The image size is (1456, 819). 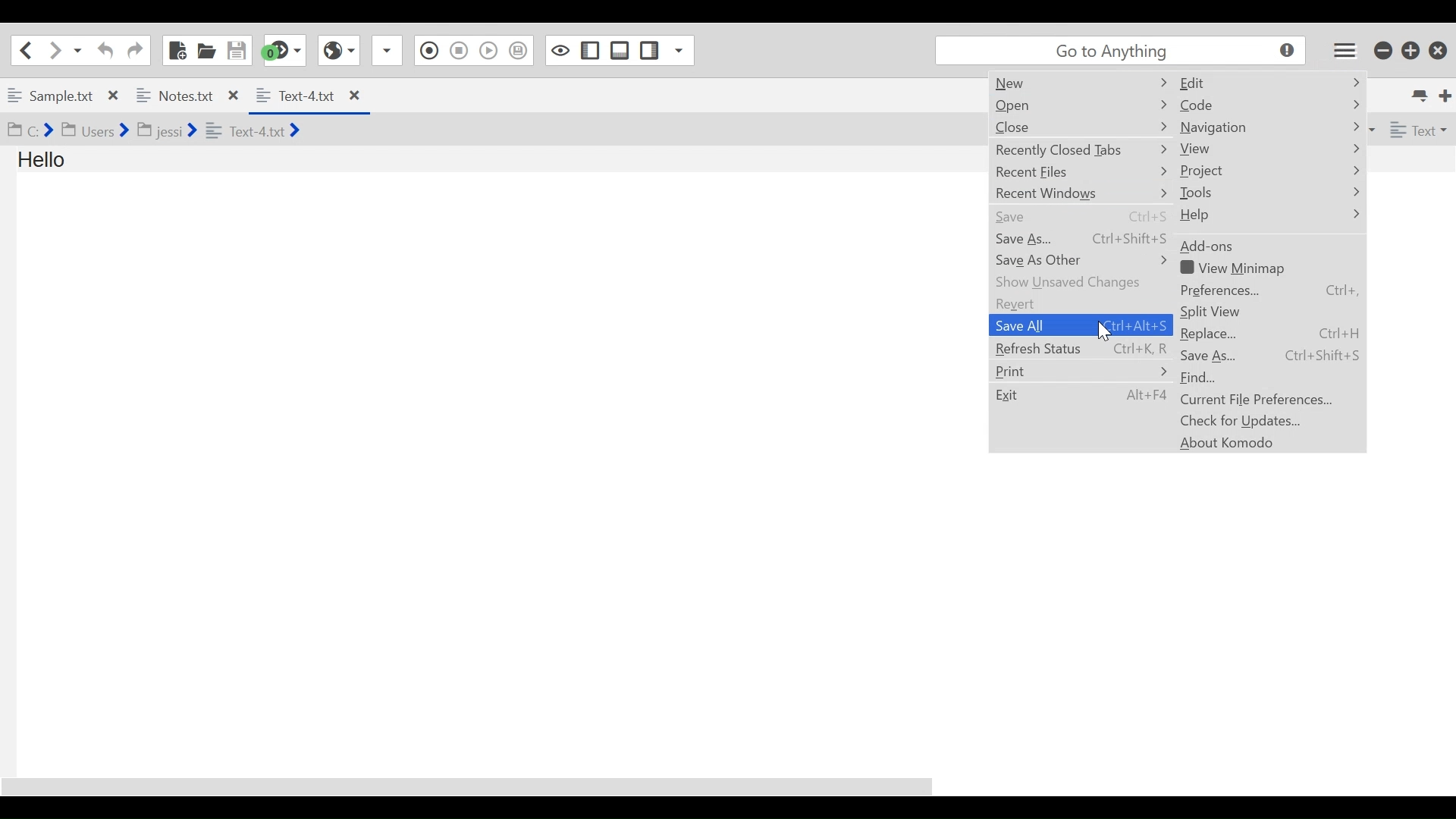 What do you see at coordinates (560, 51) in the screenshot?
I see `Toggle focus mode` at bounding box center [560, 51].